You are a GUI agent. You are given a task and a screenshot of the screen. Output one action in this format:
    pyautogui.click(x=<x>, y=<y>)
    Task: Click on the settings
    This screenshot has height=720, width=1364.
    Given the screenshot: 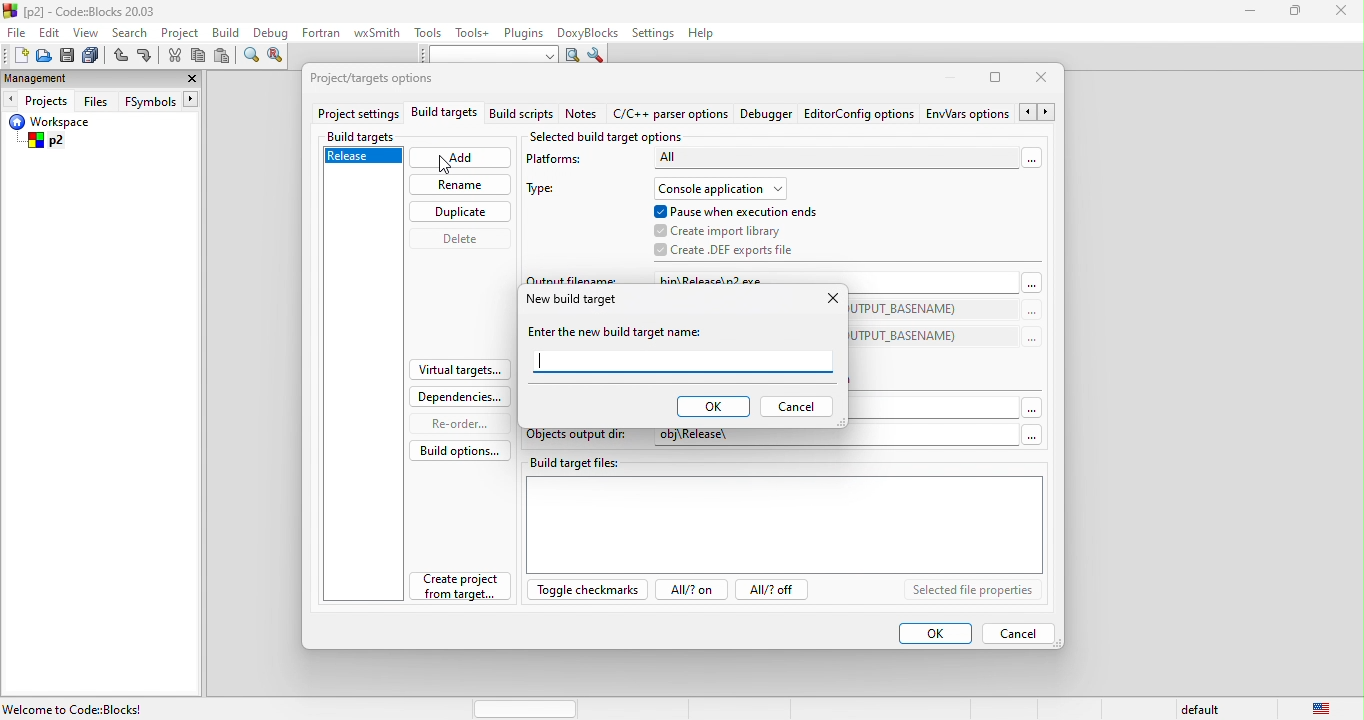 What is the action you would take?
    pyautogui.click(x=652, y=34)
    